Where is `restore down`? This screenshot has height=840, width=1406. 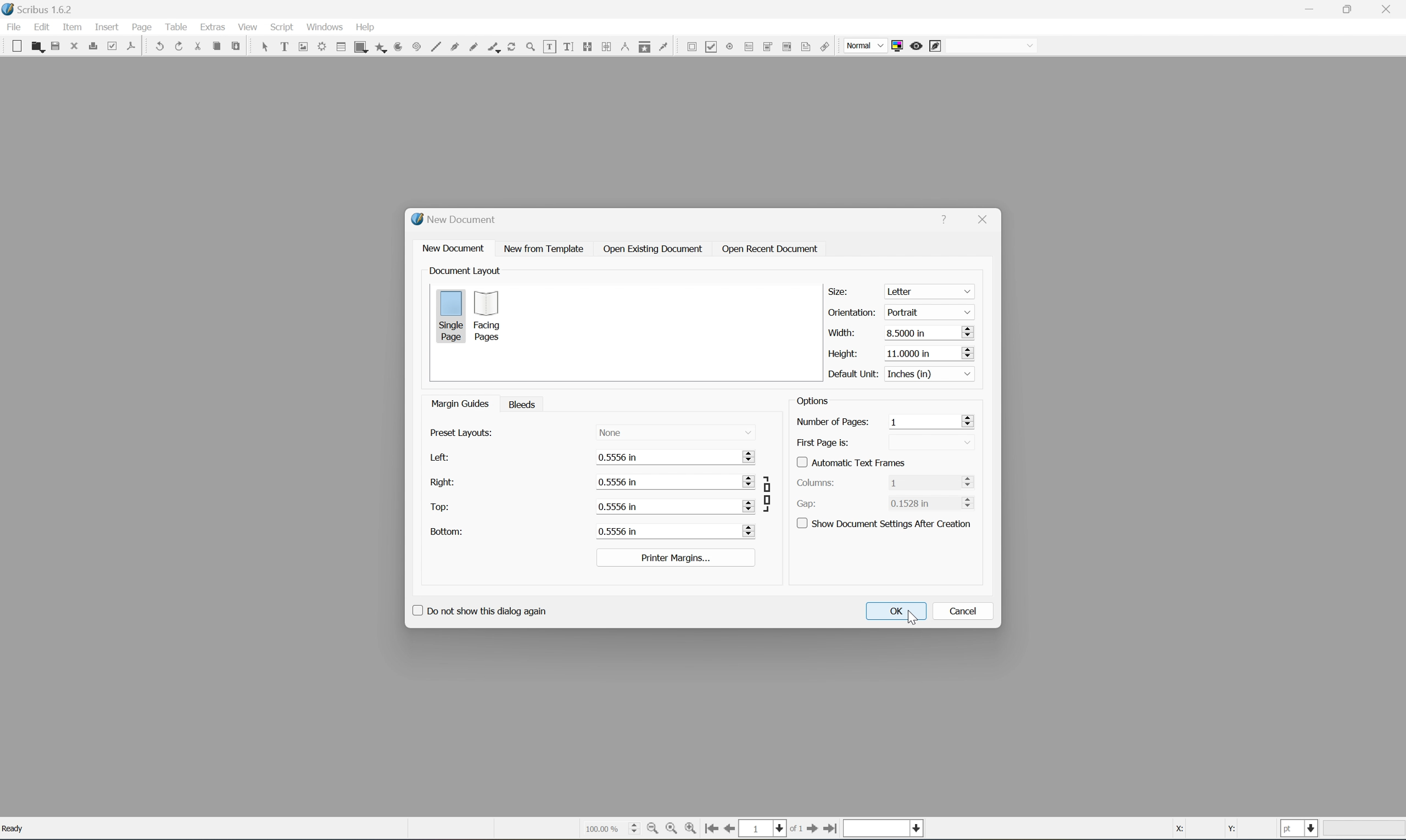 restore down is located at coordinates (1357, 8).